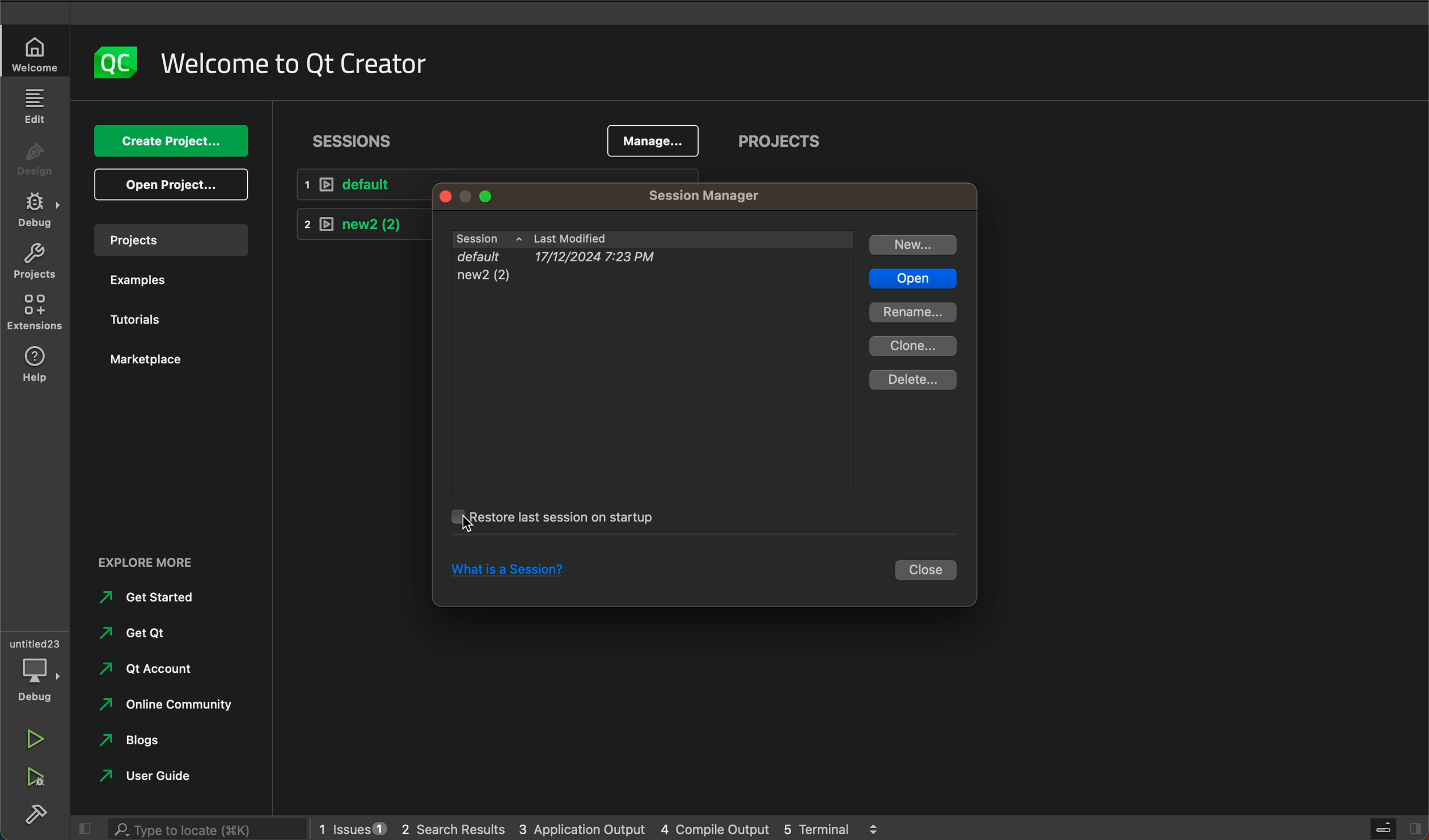 This screenshot has width=1429, height=840. I want to click on mouse pointer, so click(464, 533).